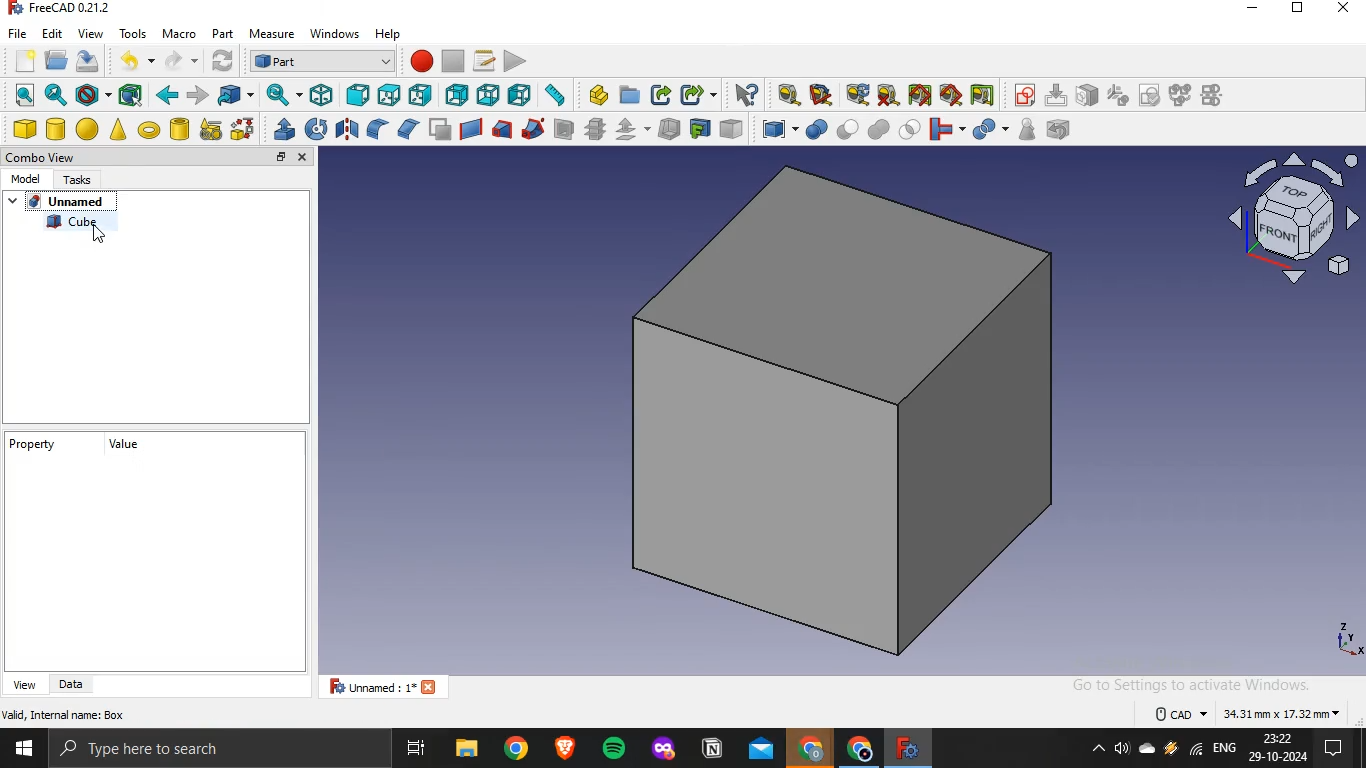 The width and height of the screenshot is (1366, 768). Describe the element at coordinates (555, 94) in the screenshot. I see `measure distance` at that location.